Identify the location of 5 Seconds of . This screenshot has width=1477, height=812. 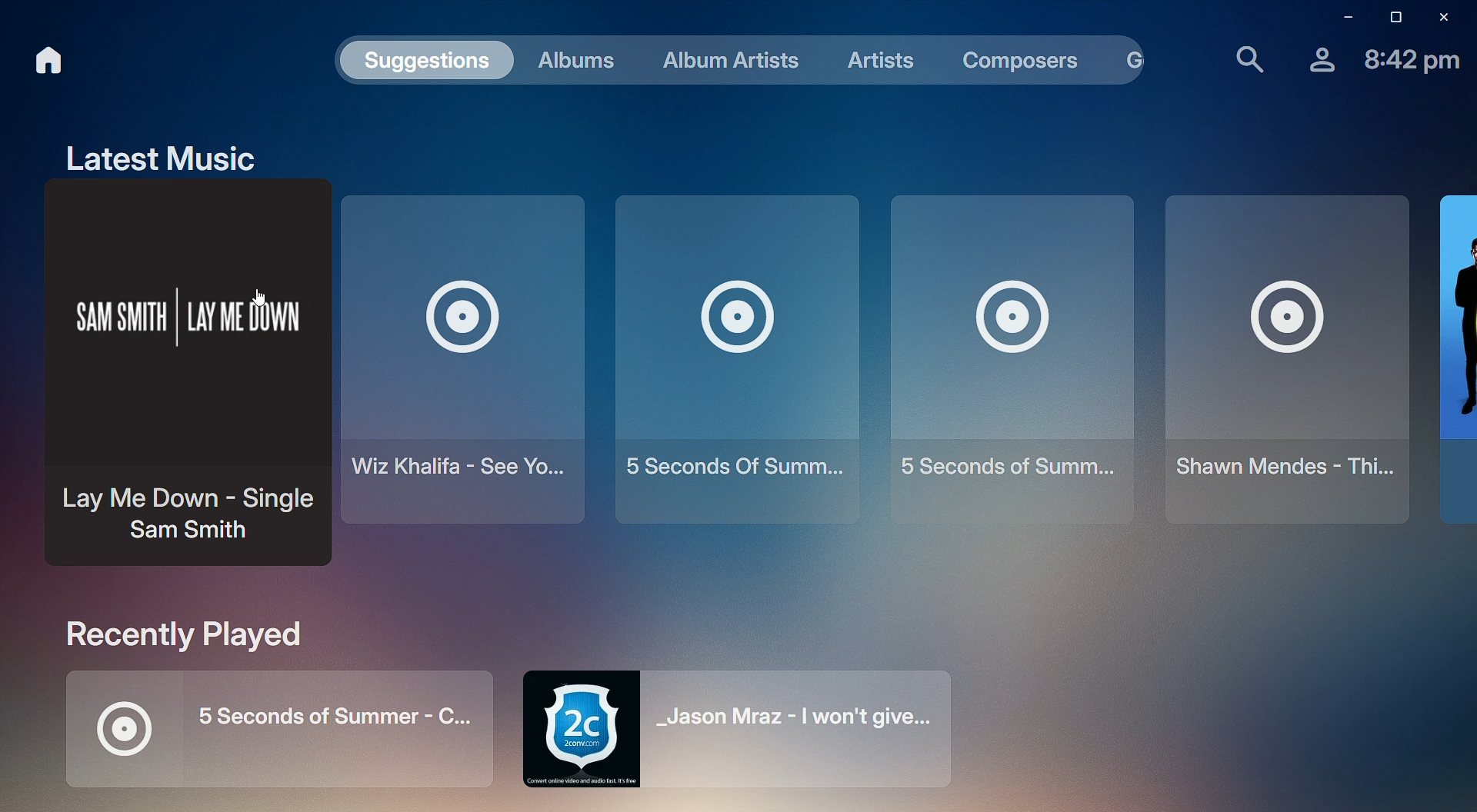
(1013, 360).